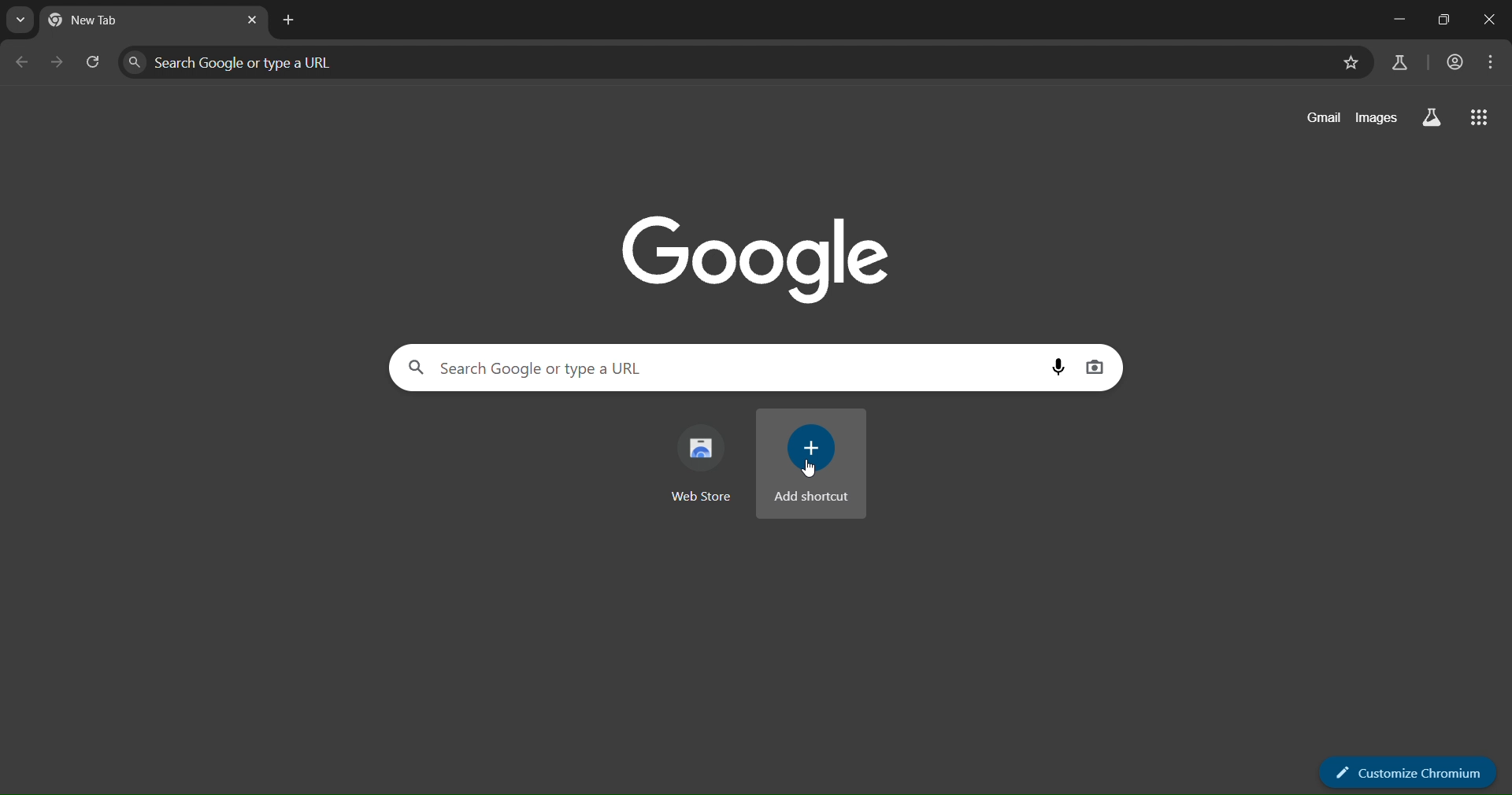 Image resolution: width=1512 pixels, height=795 pixels. Describe the element at coordinates (1439, 21) in the screenshot. I see `restore down` at that location.